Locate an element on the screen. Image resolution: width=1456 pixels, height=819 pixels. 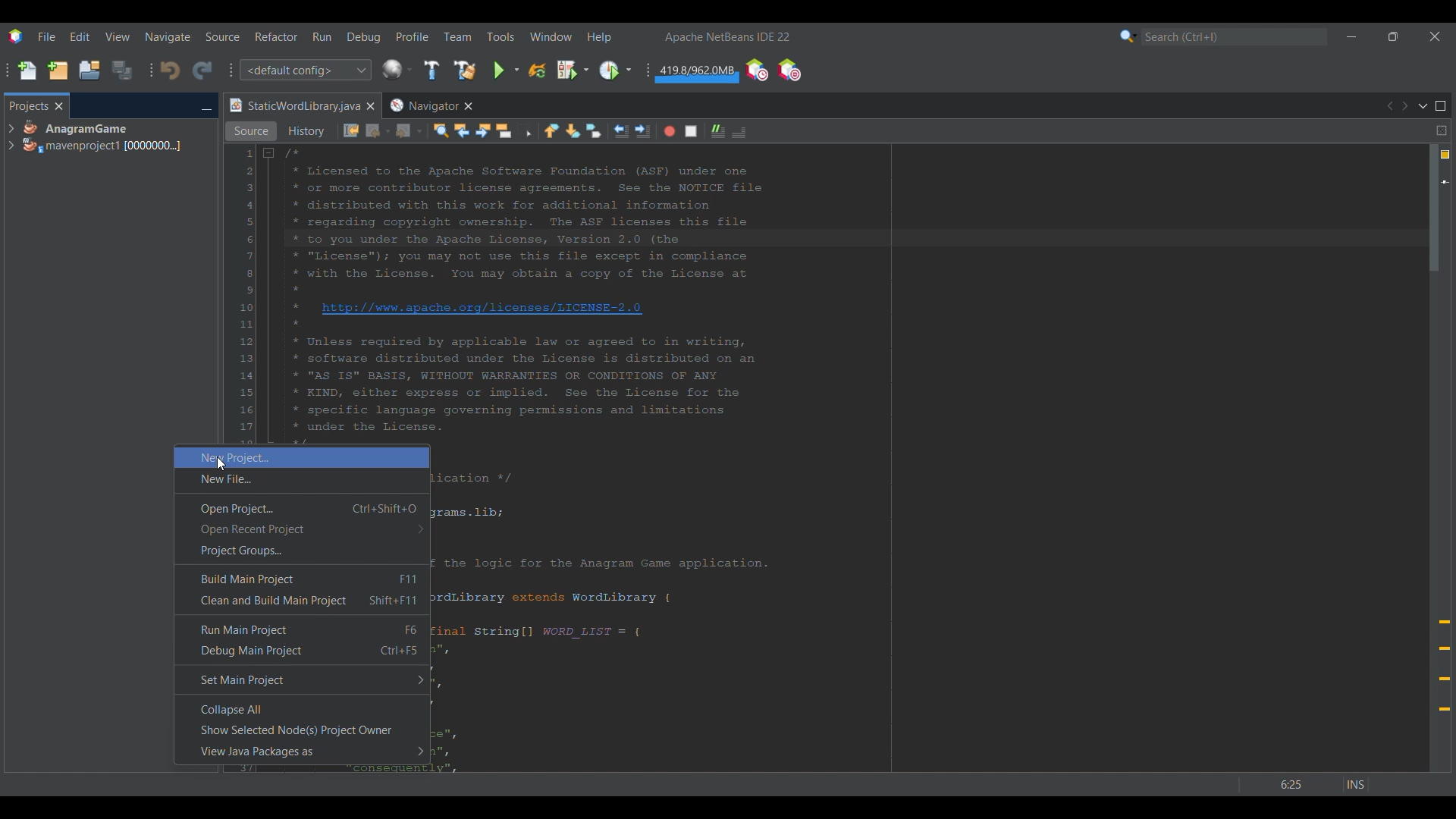
Minimize is located at coordinates (206, 107).